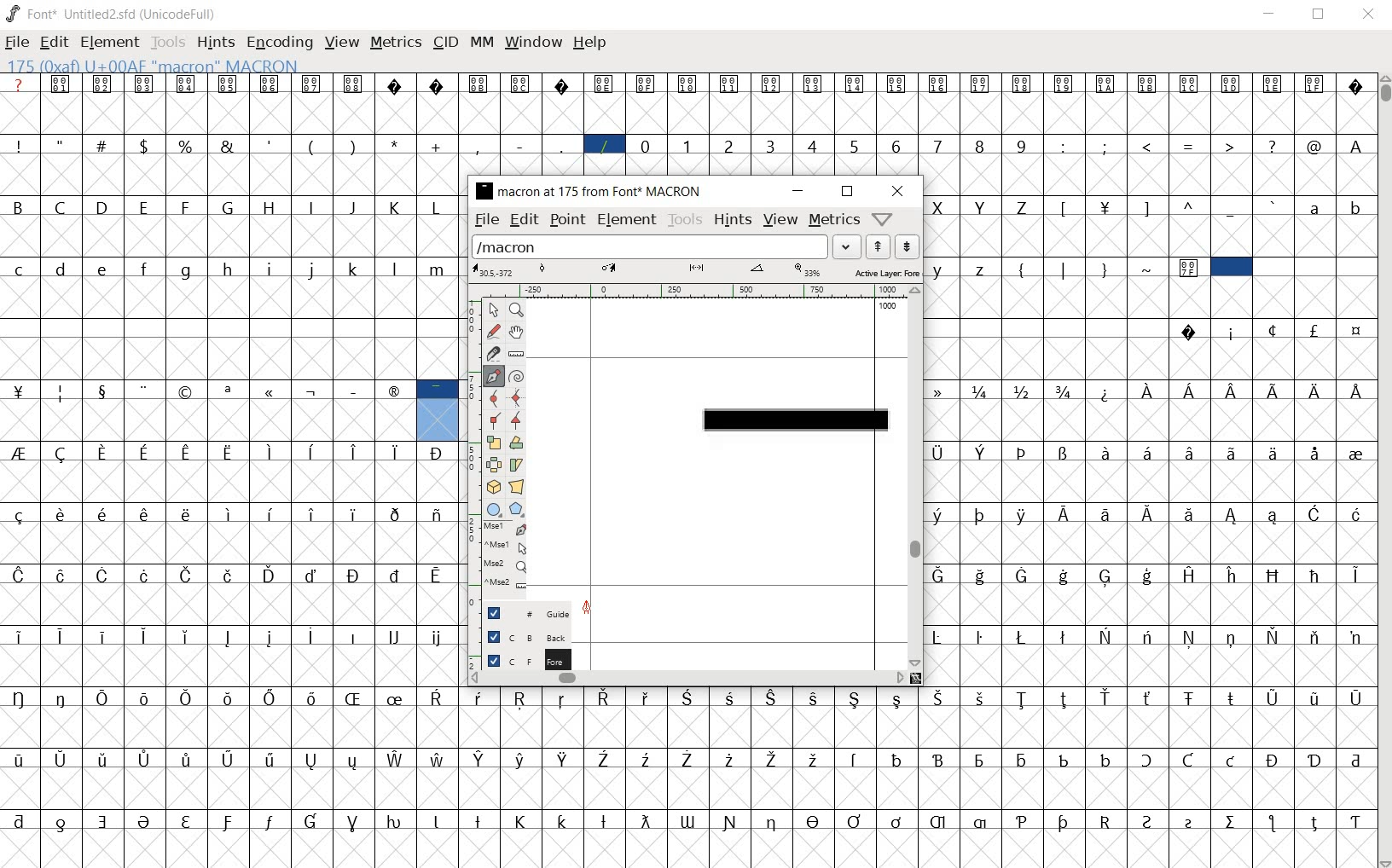  What do you see at coordinates (20, 819) in the screenshot?
I see `Symbol` at bounding box center [20, 819].